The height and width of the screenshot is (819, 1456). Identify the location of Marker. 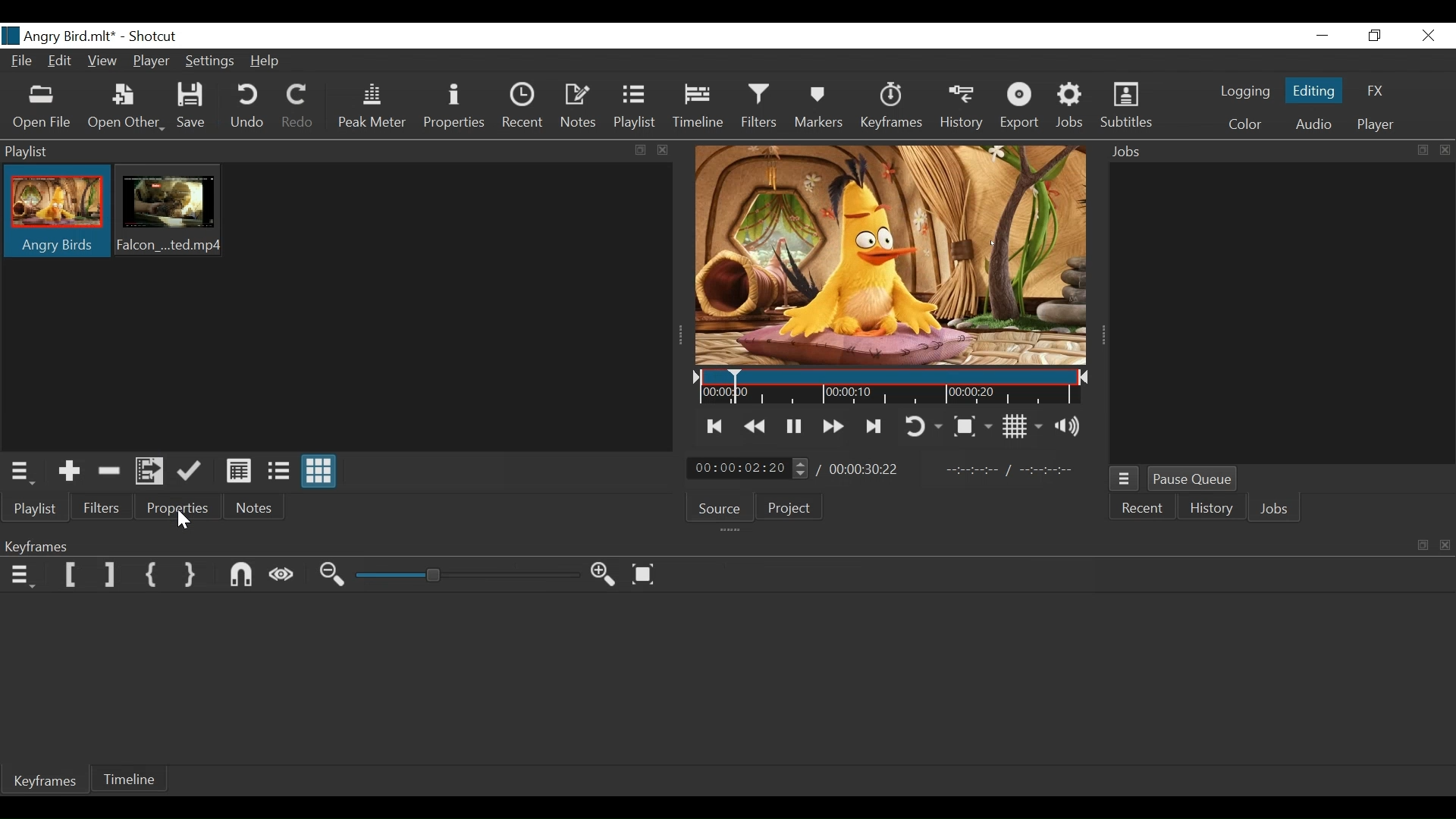
(822, 108).